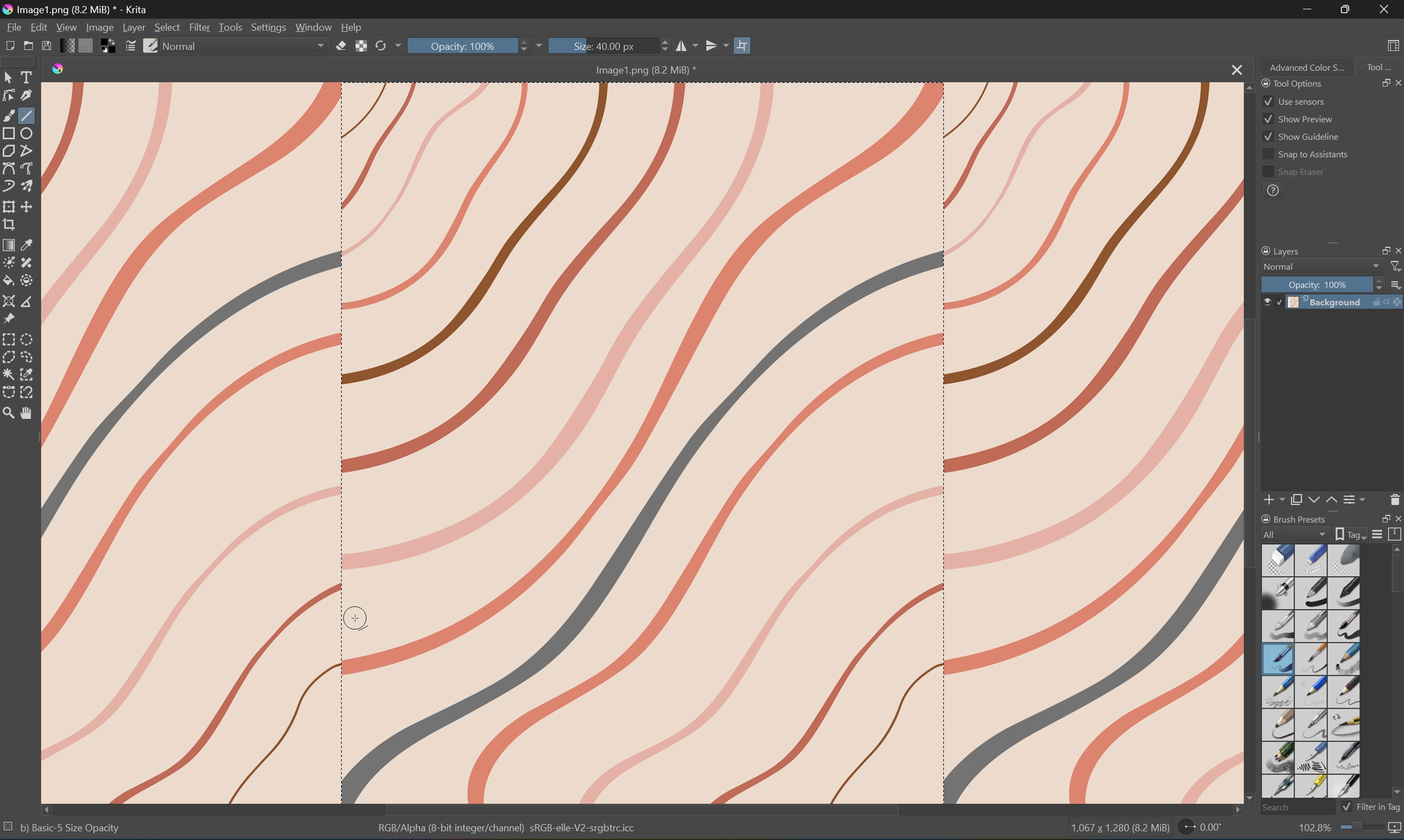 Image resolution: width=1404 pixels, height=840 pixels. What do you see at coordinates (9, 206) in the screenshot?
I see `Transform the layer or selection` at bounding box center [9, 206].